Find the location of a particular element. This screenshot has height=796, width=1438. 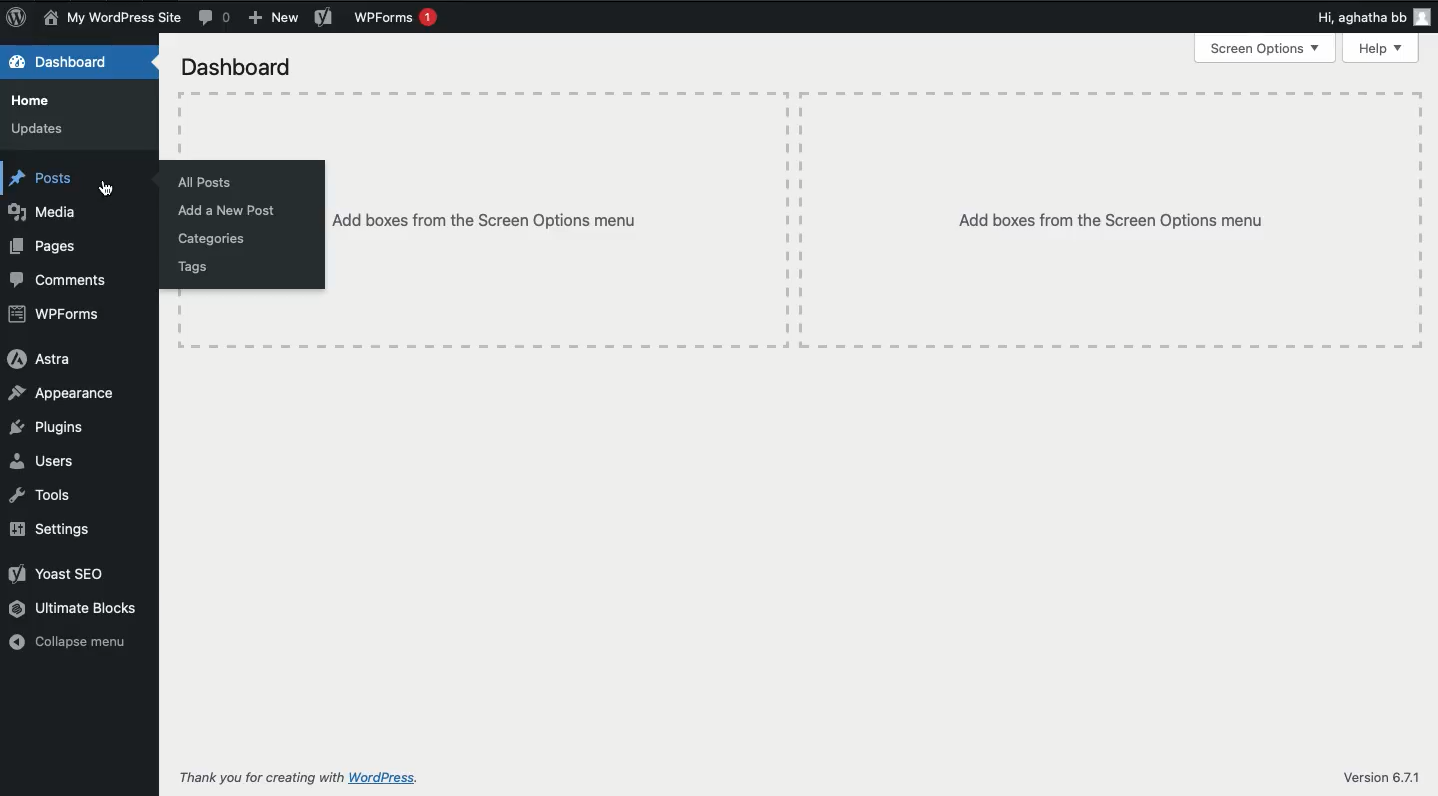

Comments is located at coordinates (59, 279).